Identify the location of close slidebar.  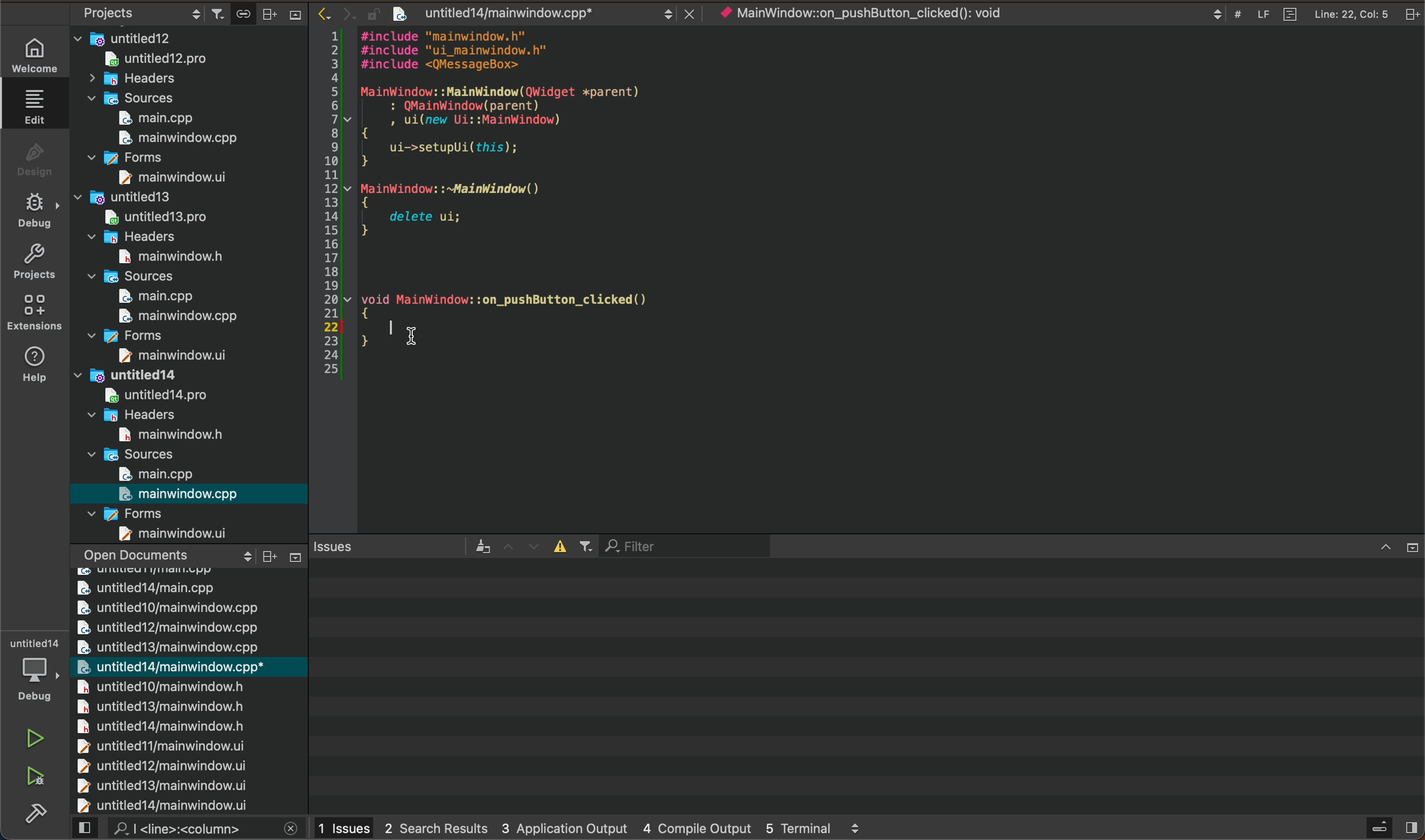
(1384, 825).